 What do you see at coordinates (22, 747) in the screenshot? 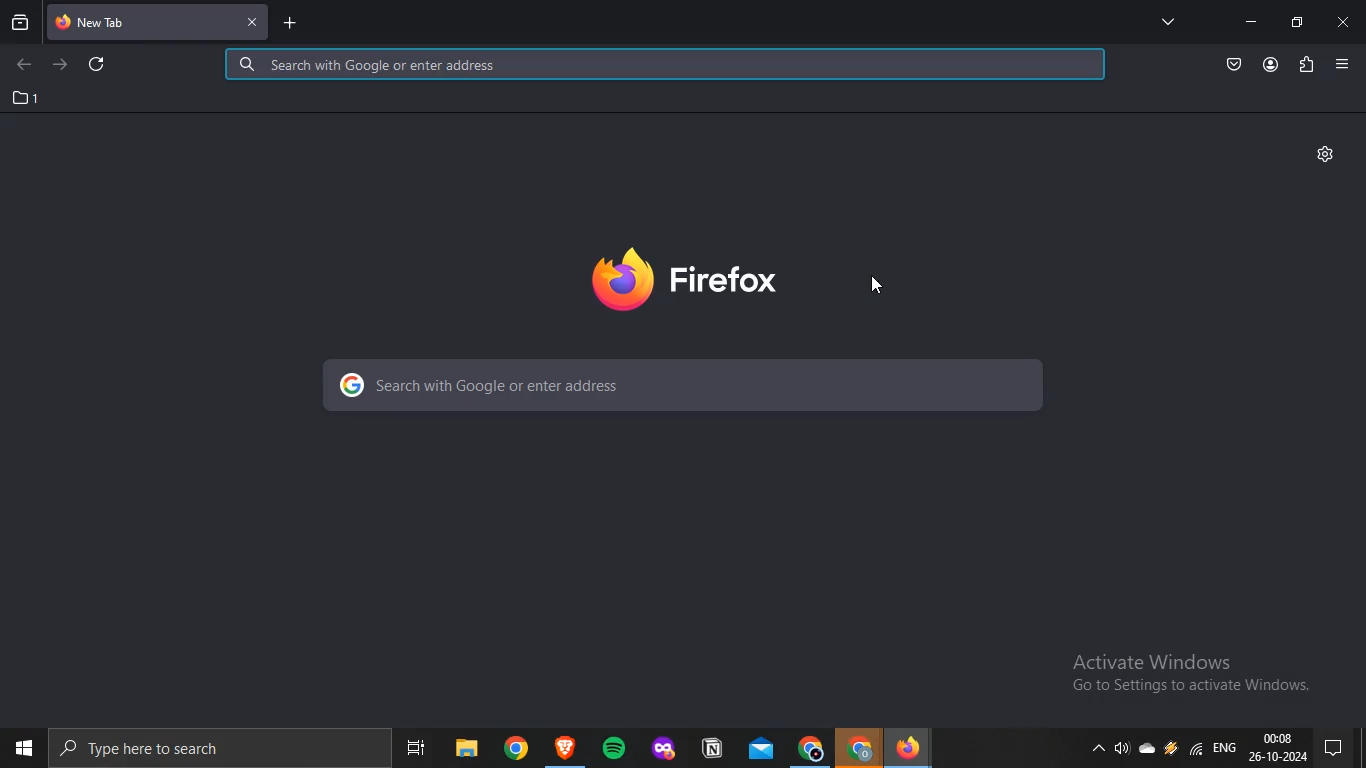
I see `windows` at bounding box center [22, 747].